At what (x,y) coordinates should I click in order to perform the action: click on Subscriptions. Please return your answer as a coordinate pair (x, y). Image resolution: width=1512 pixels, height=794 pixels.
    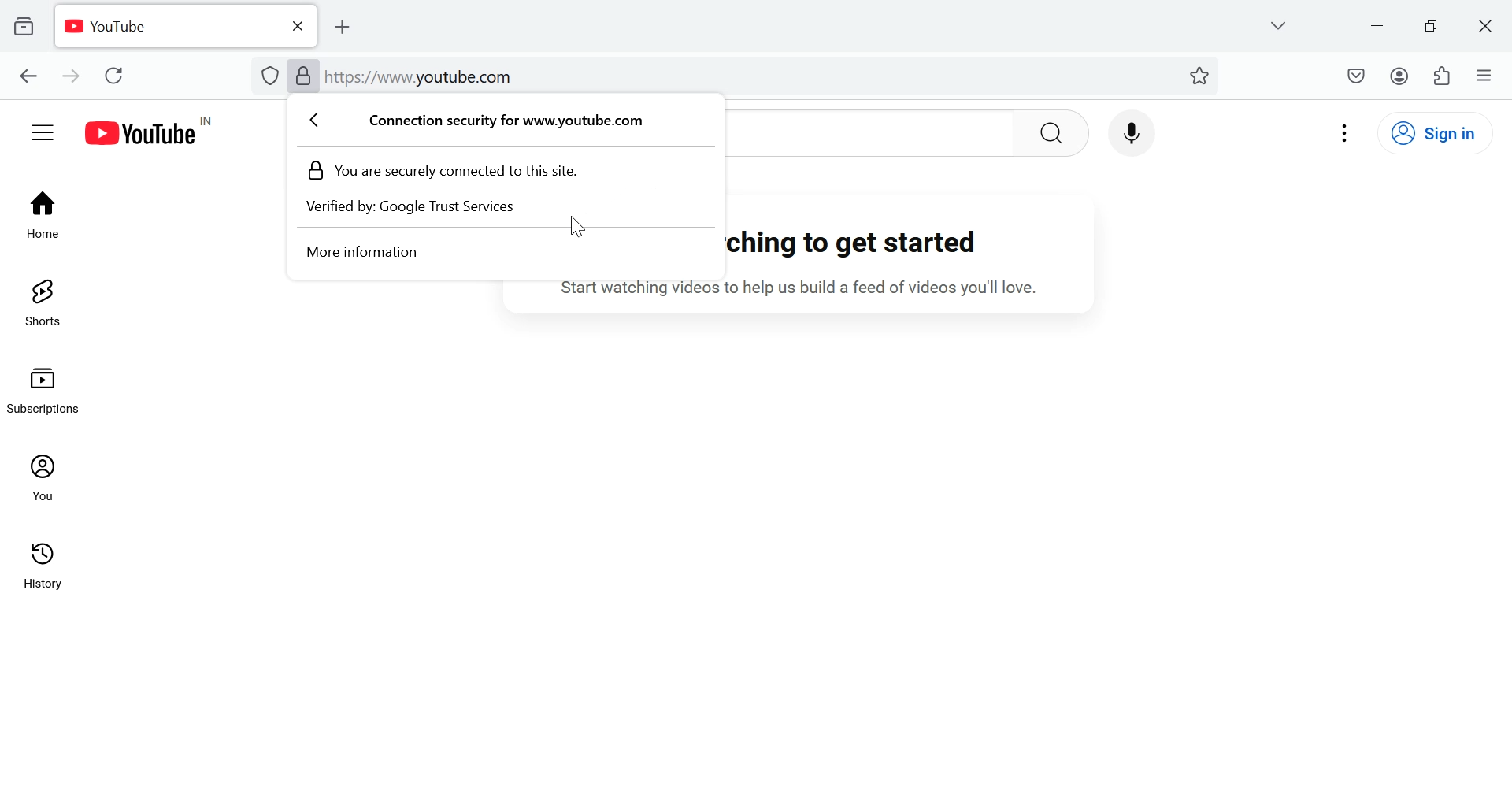
    Looking at the image, I should click on (49, 388).